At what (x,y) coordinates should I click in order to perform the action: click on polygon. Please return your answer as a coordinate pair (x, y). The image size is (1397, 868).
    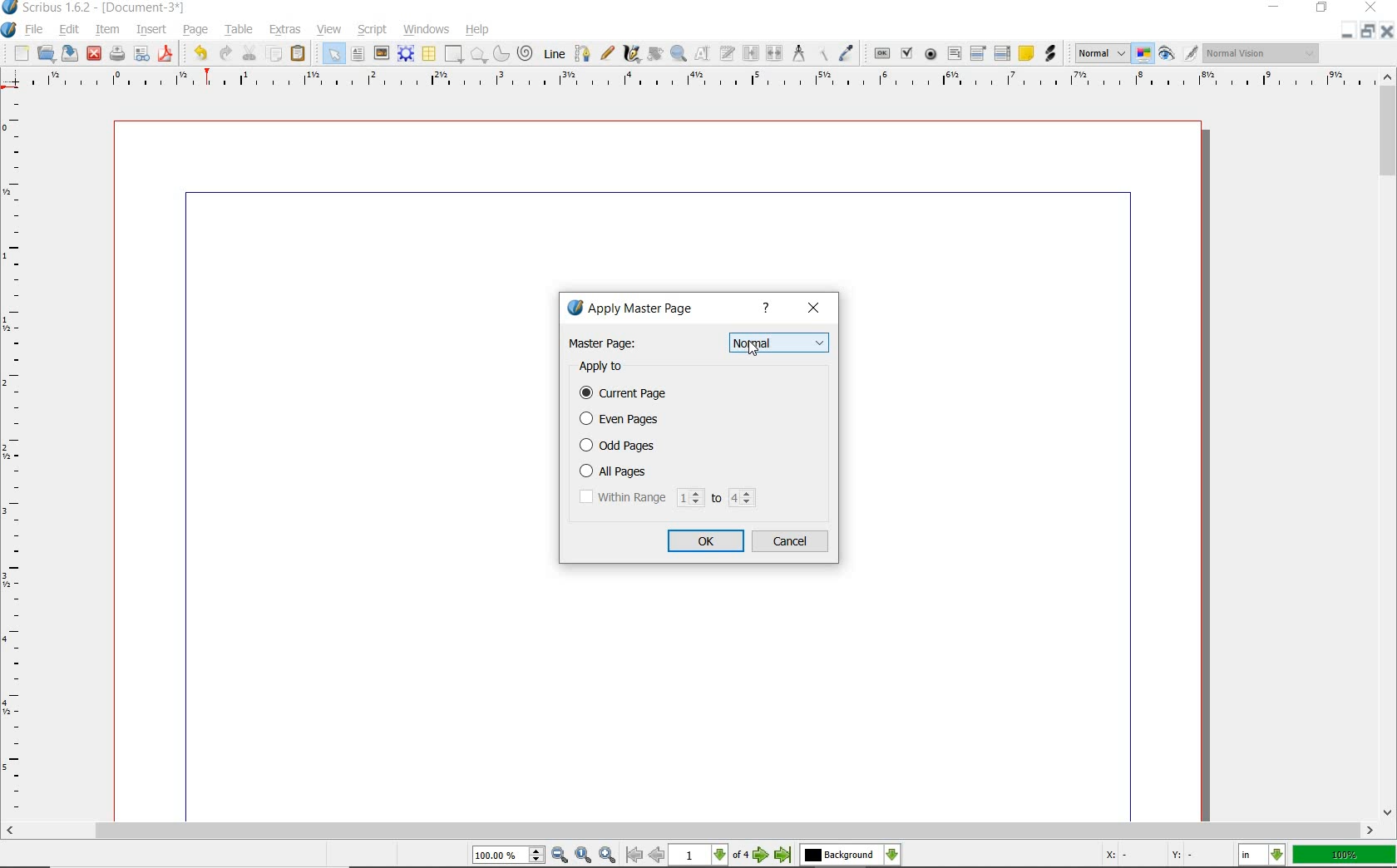
    Looking at the image, I should click on (477, 55).